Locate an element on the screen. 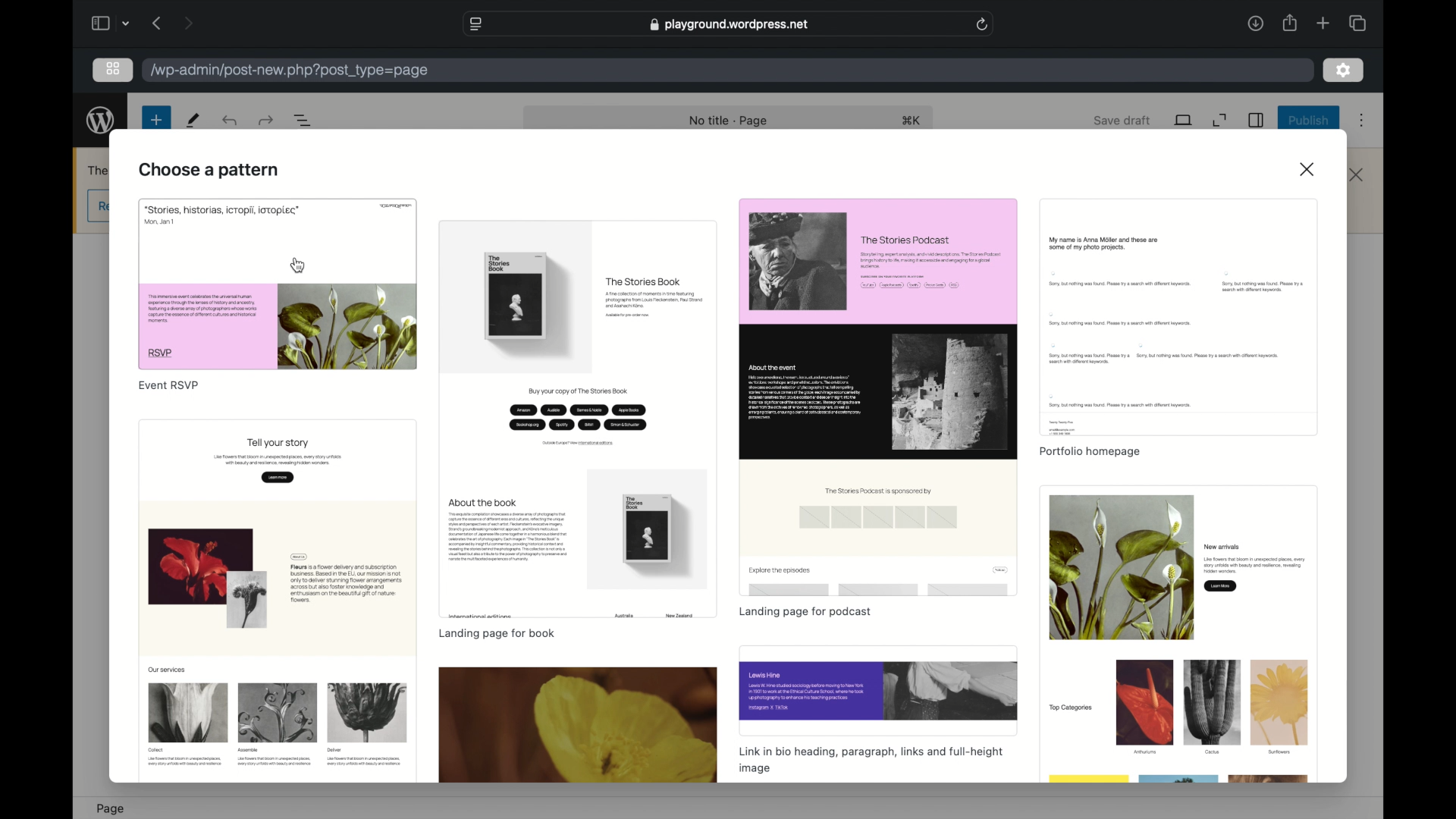 The height and width of the screenshot is (819, 1456). view is located at coordinates (1184, 120).